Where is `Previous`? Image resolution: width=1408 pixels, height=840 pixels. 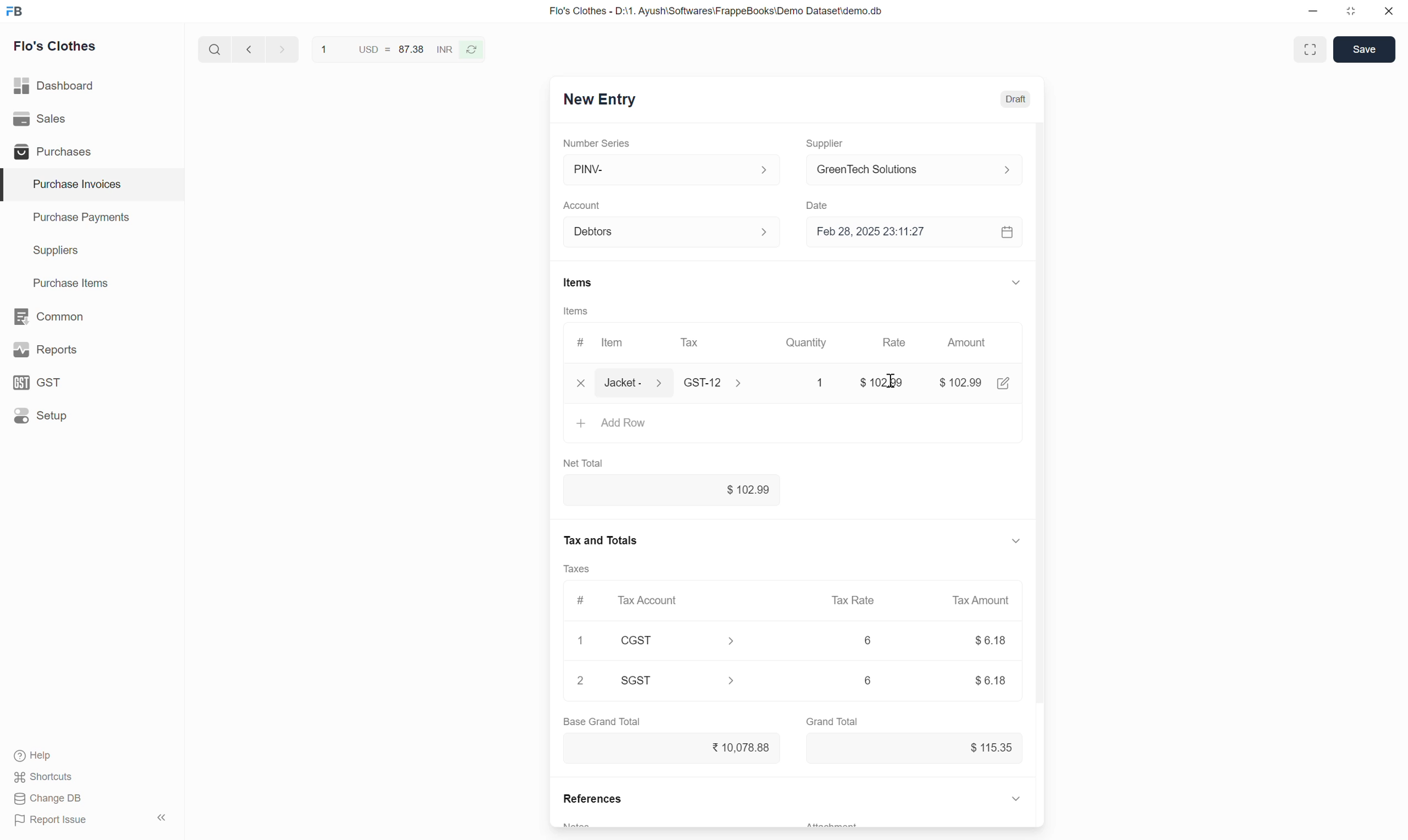 Previous is located at coordinates (249, 49).